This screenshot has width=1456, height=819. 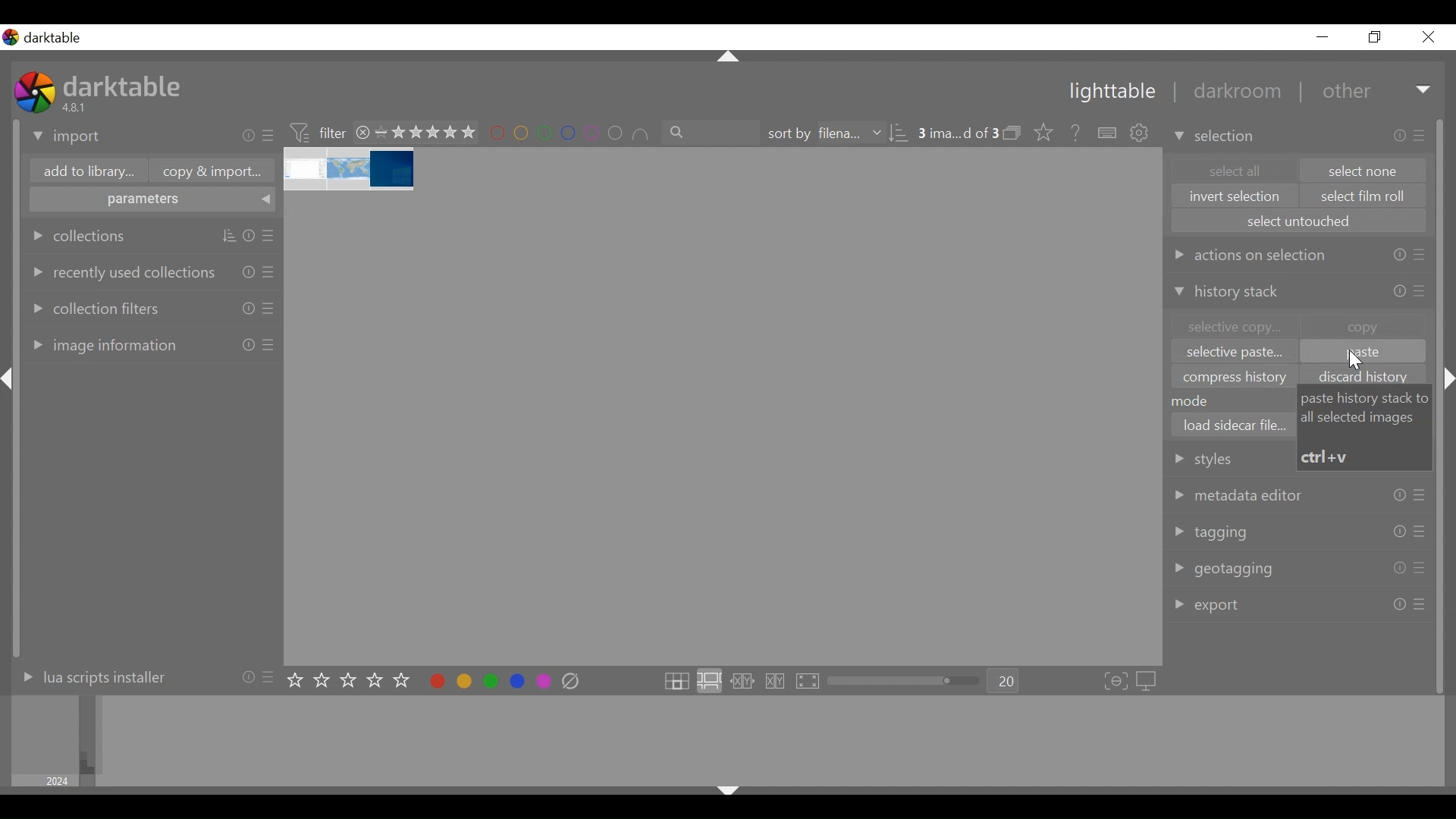 I want to click on define shortcuts, so click(x=1109, y=133).